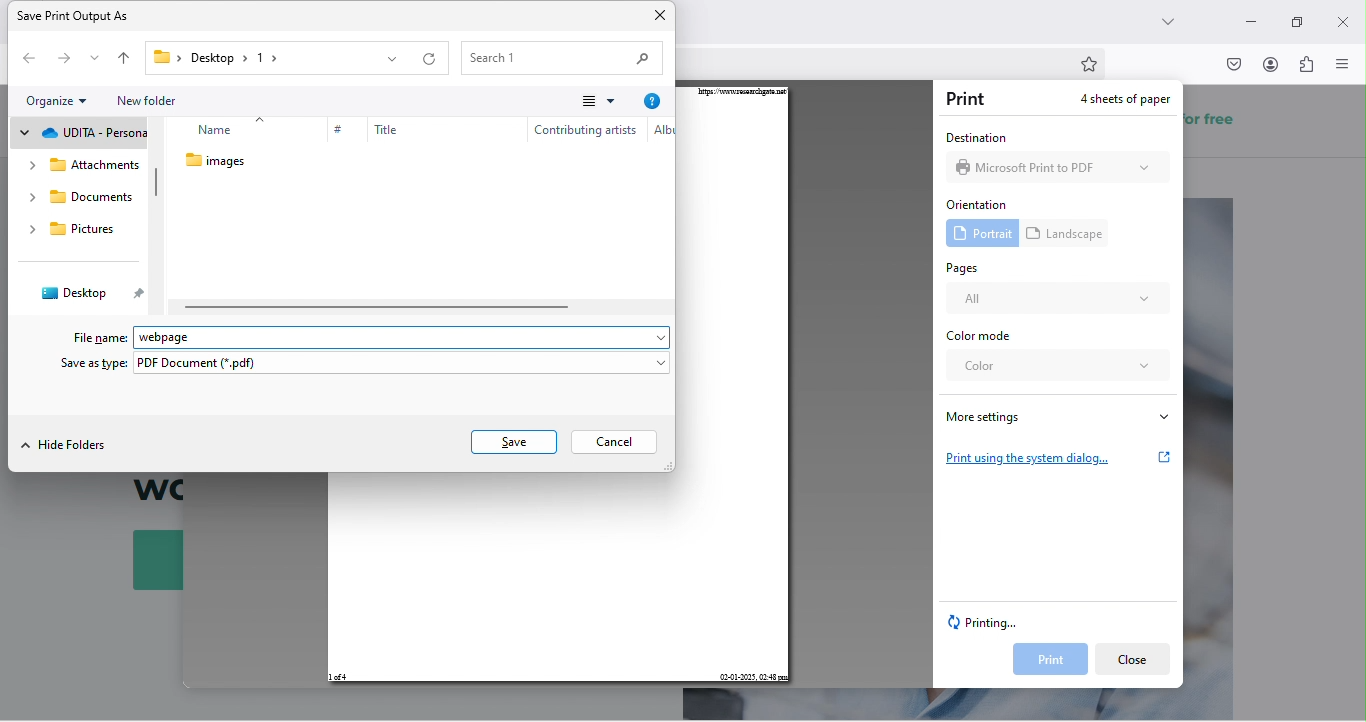  I want to click on previous location, so click(395, 62).